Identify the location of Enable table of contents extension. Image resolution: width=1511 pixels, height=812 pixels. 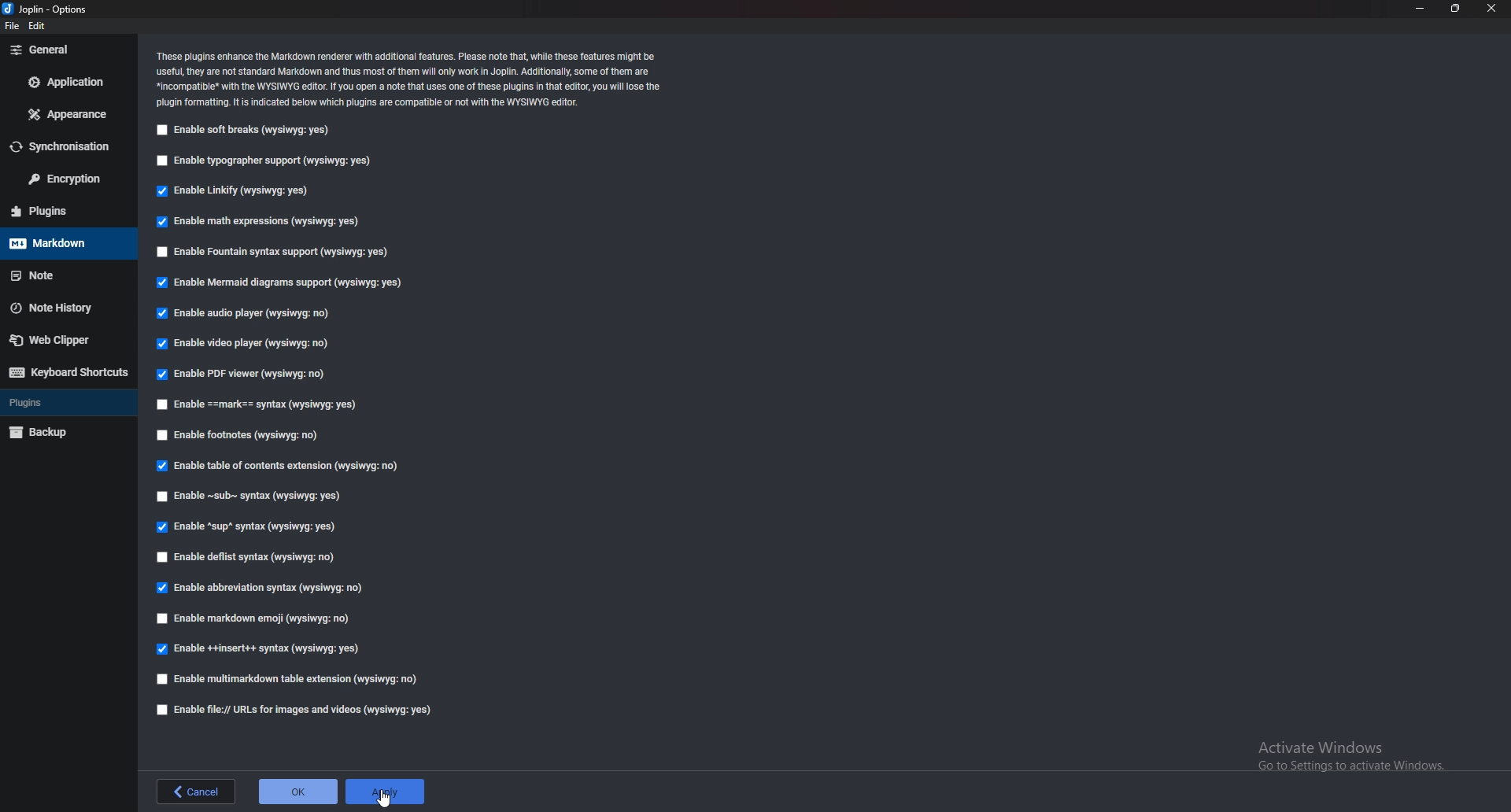
(286, 466).